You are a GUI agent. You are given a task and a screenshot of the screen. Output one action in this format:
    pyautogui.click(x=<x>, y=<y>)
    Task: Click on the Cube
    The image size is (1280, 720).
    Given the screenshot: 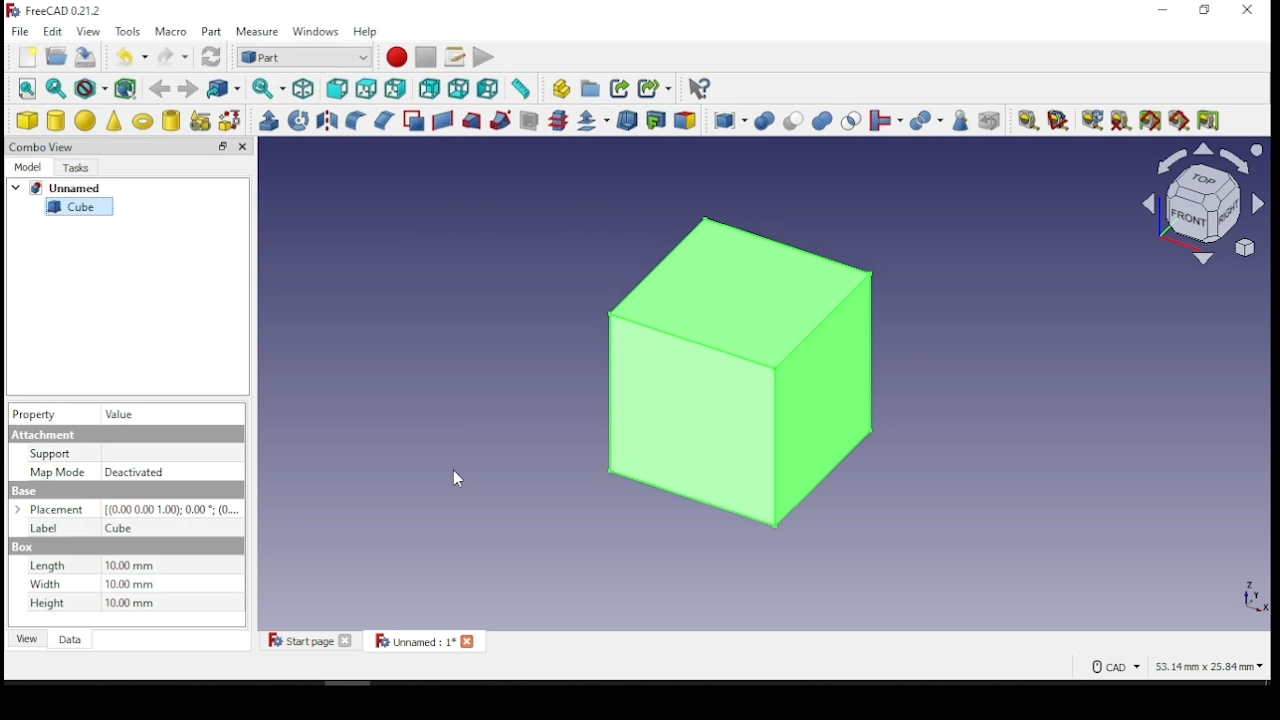 What is the action you would take?
    pyautogui.click(x=119, y=529)
    